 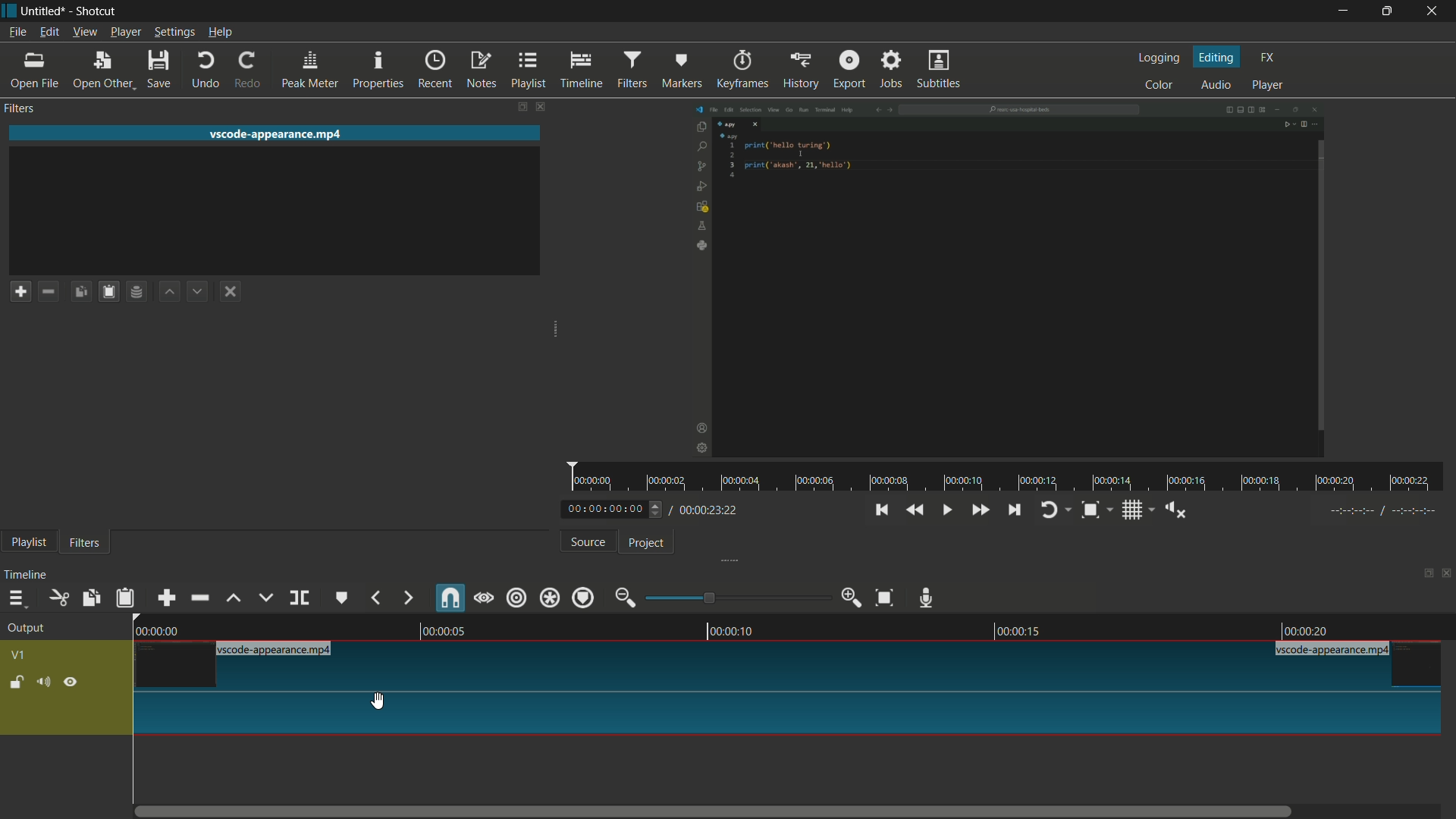 I want to click on help menu, so click(x=221, y=33).